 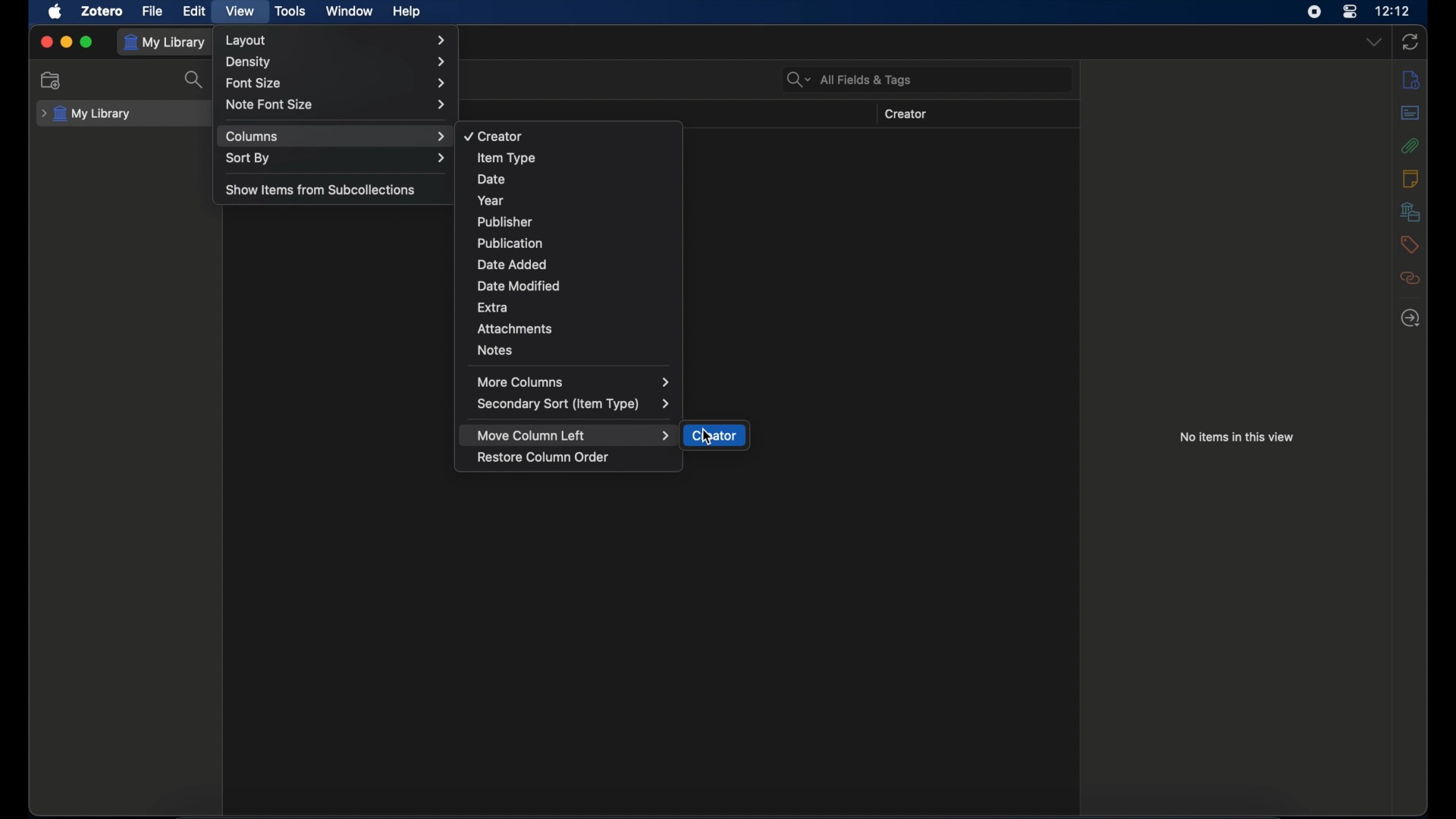 I want to click on window, so click(x=349, y=11).